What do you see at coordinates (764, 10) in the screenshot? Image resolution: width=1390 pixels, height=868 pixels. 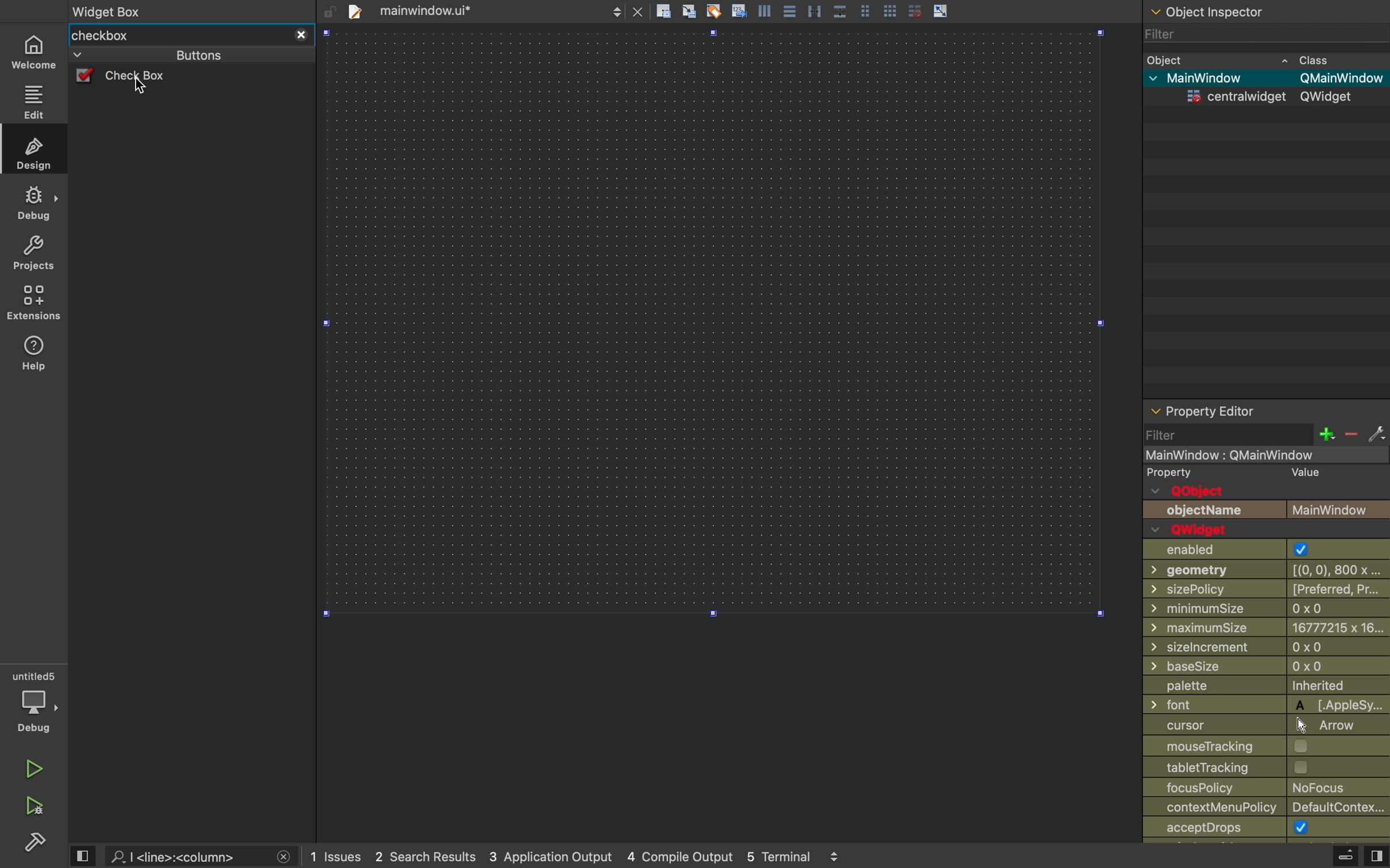 I see `align left` at bounding box center [764, 10].